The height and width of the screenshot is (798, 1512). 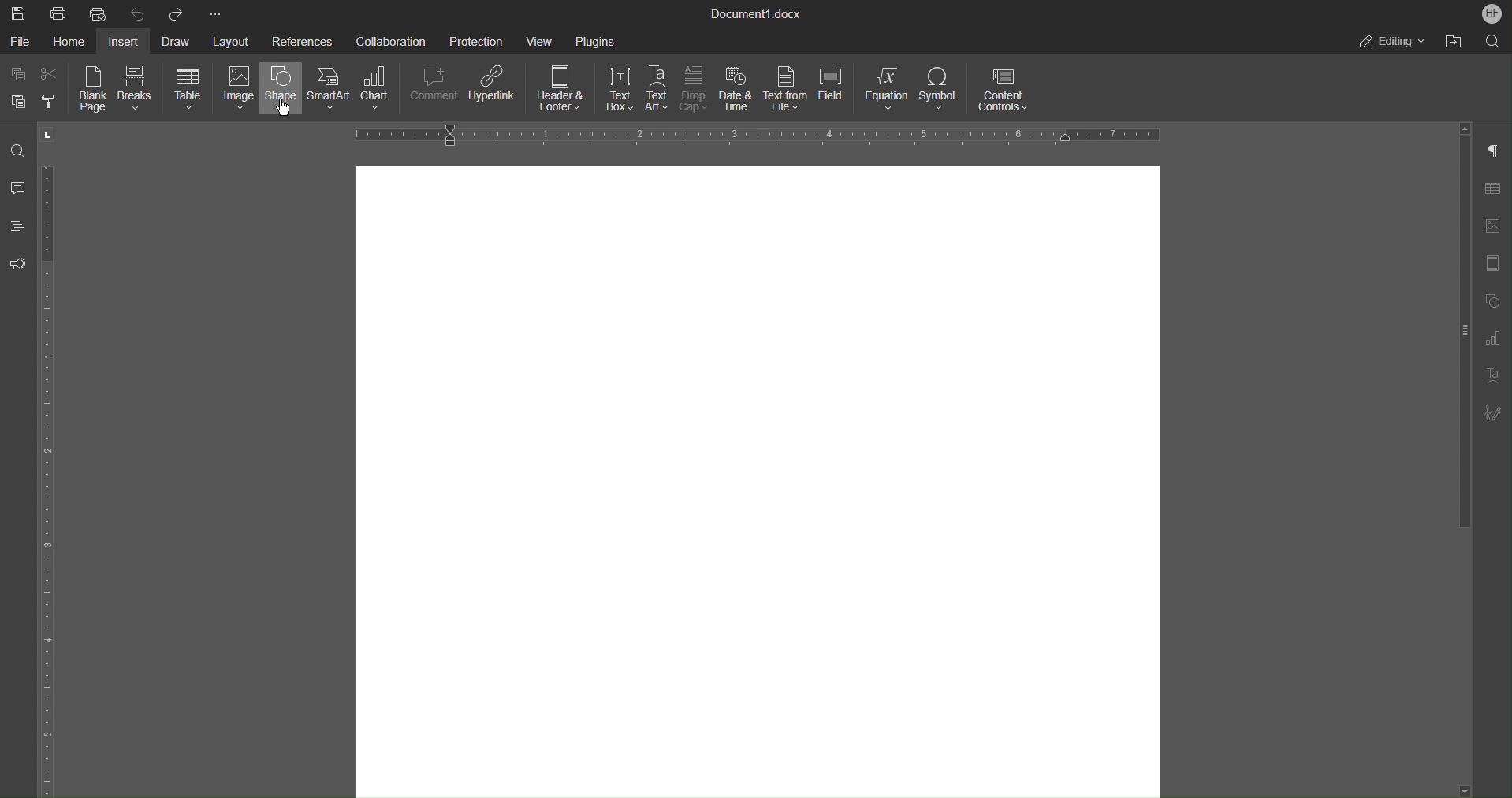 What do you see at coordinates (888, 91) in the screenshot?
I see `Equation` at bounding box center [888, 91].